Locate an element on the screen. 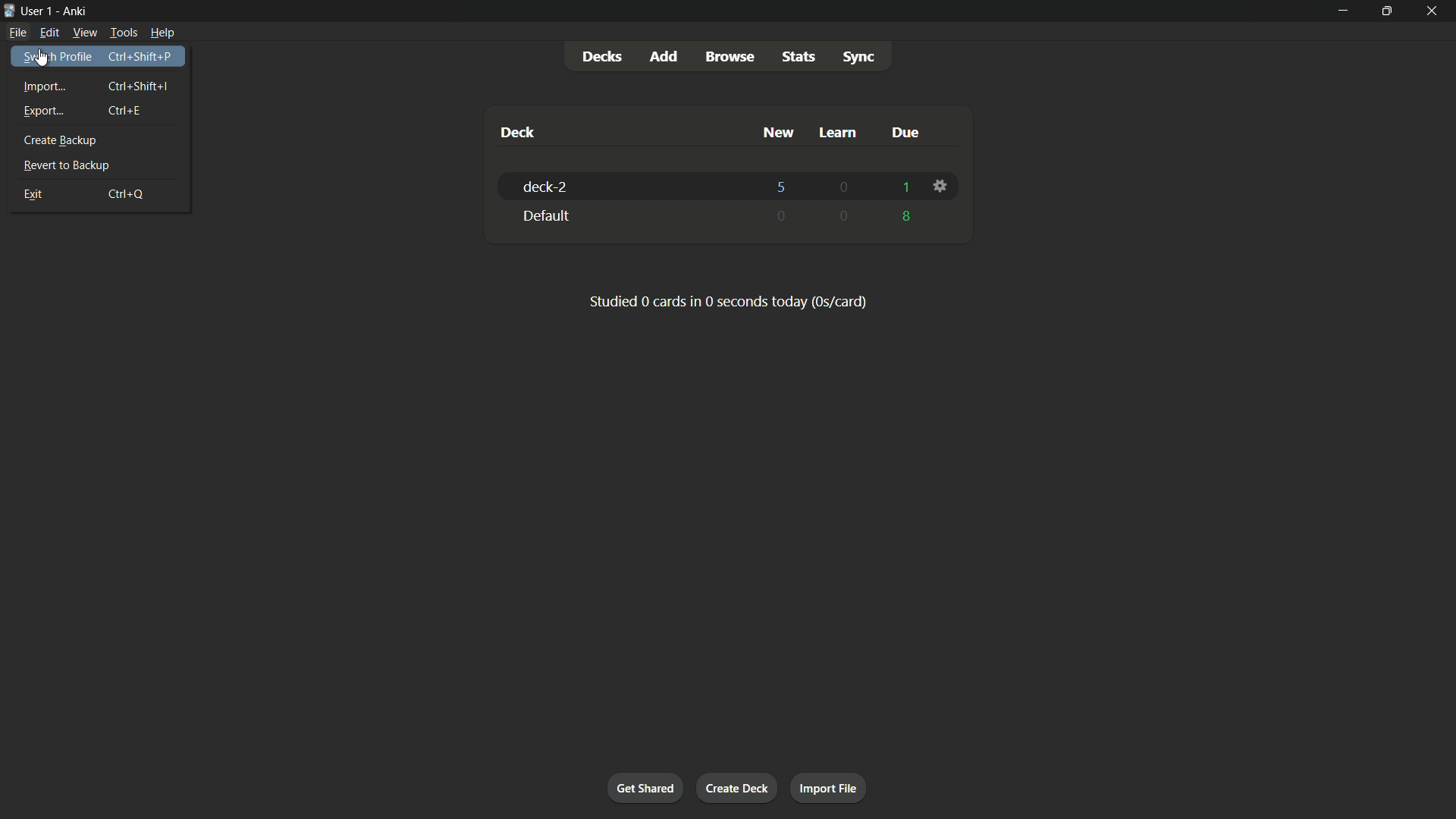  Maximize is located at coordinates (1385, 11).